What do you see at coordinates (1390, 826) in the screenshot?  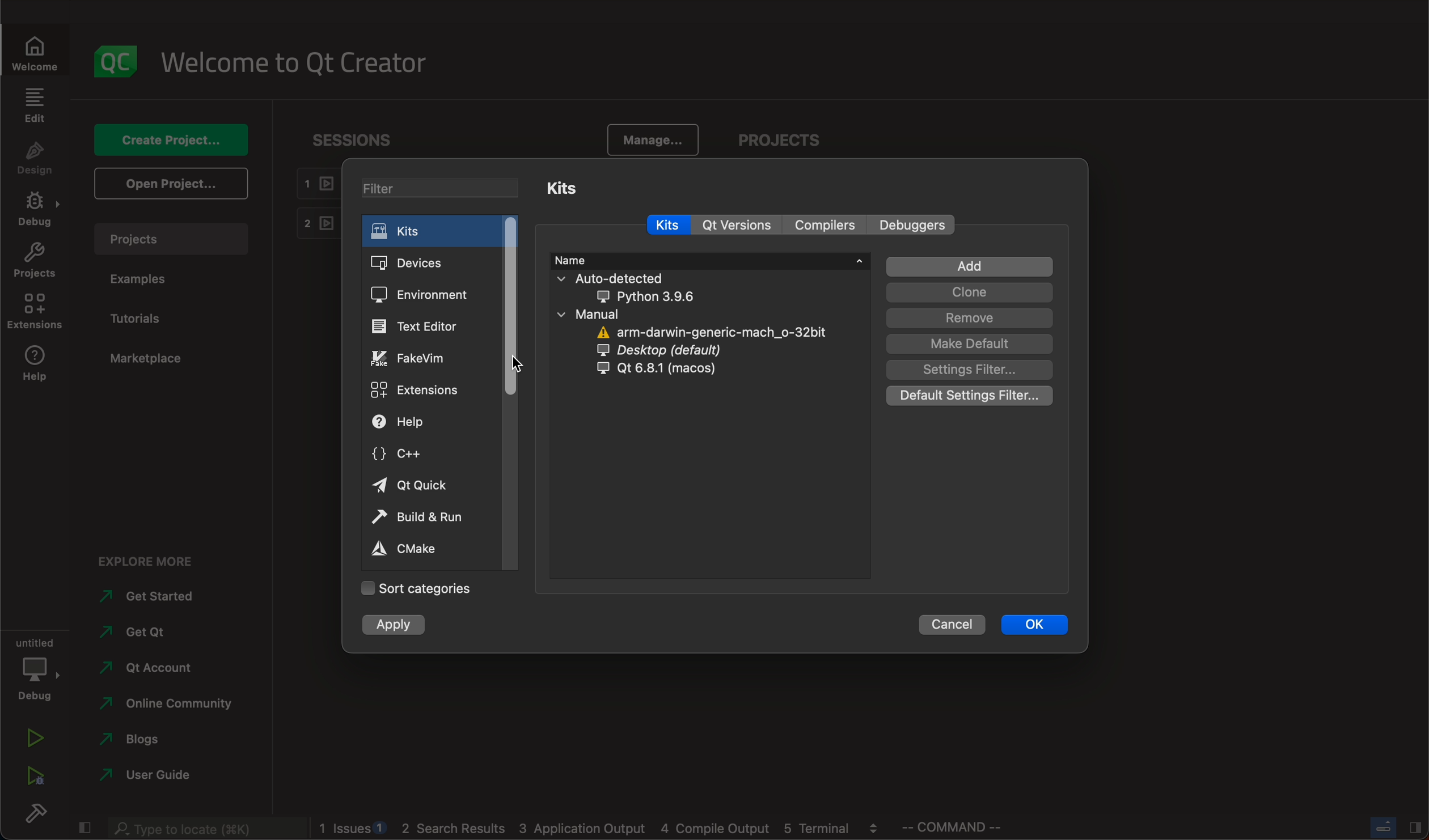 I see `close slide bar` at bounding box center [1390, 826].